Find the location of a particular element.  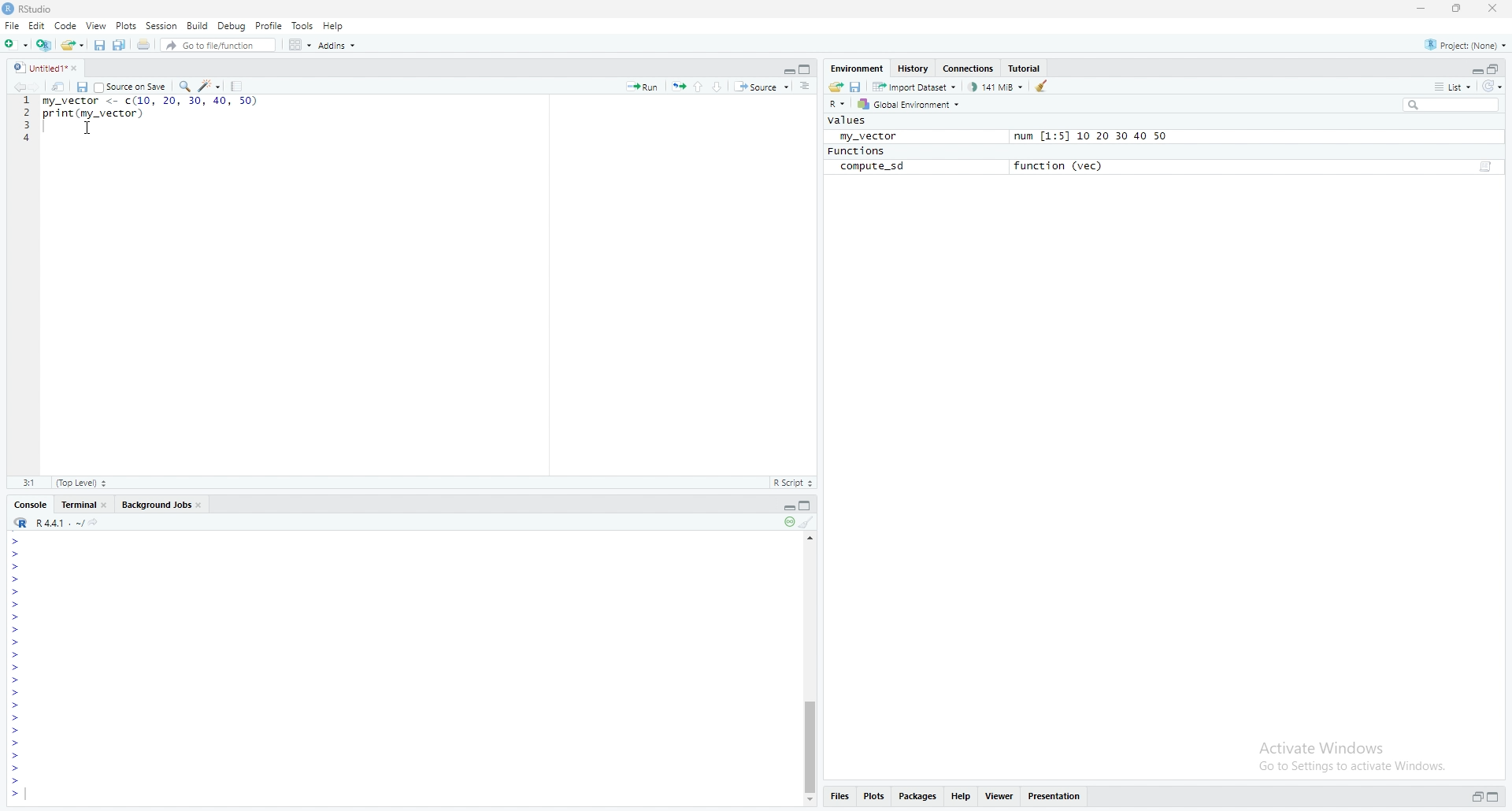

Close is located at coordinates (1491, 9).